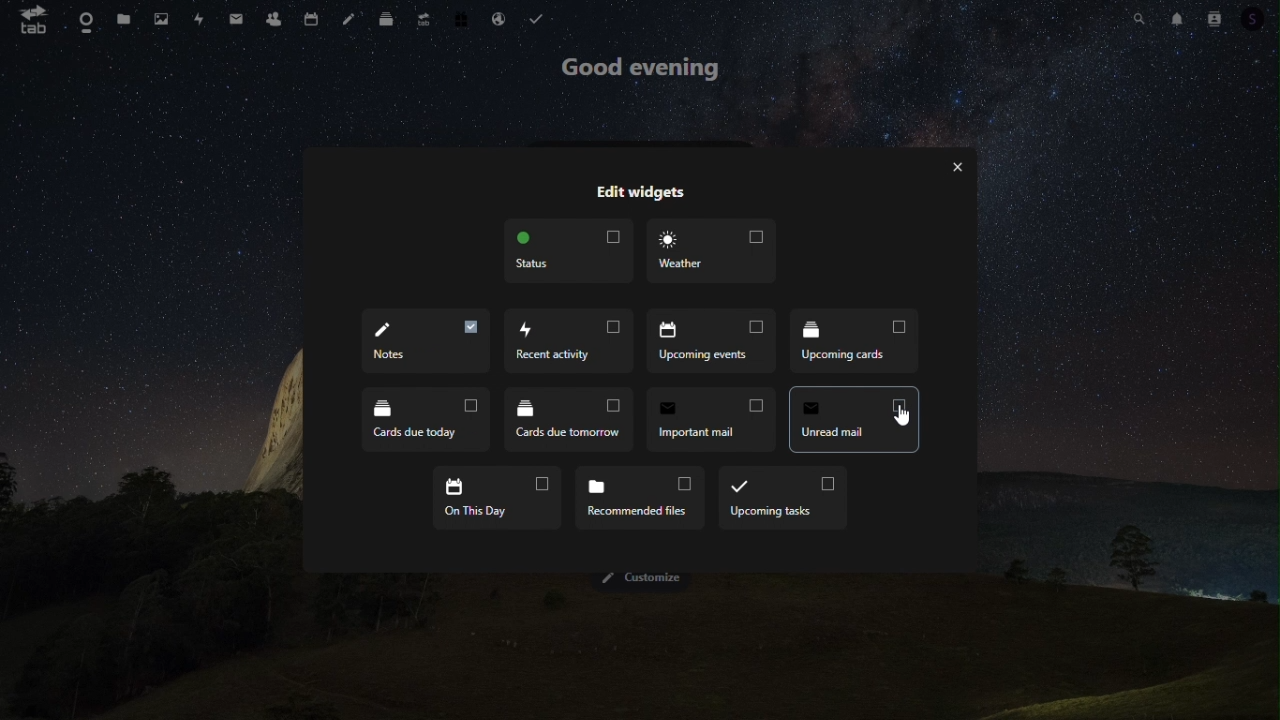  What do you see at coordinates (957, 169) in the screenshot?
I see `Close ` at bounding box center [957, 169].